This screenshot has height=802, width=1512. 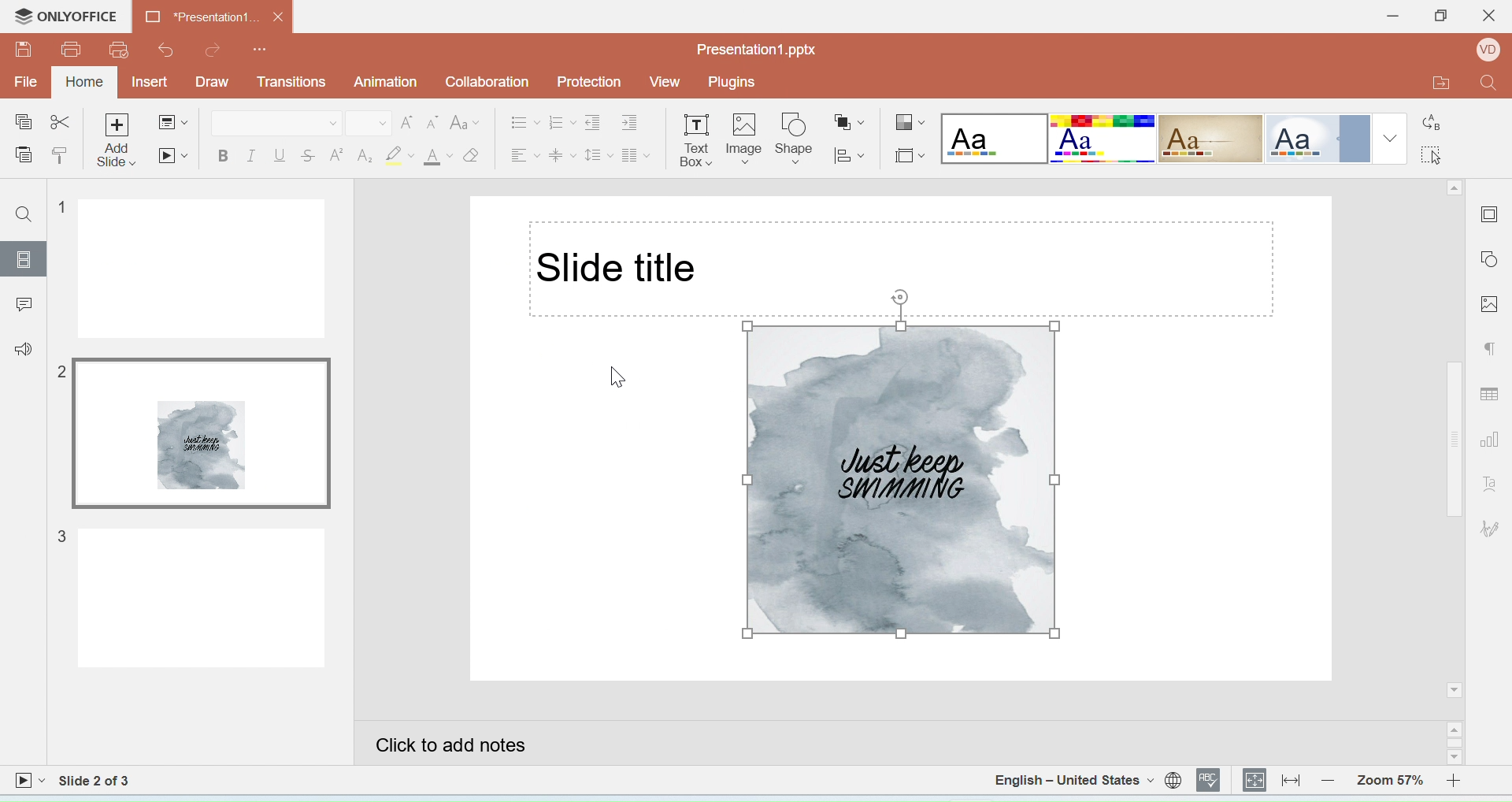 I want to click on Set document language, so click(x=1173, y=780).